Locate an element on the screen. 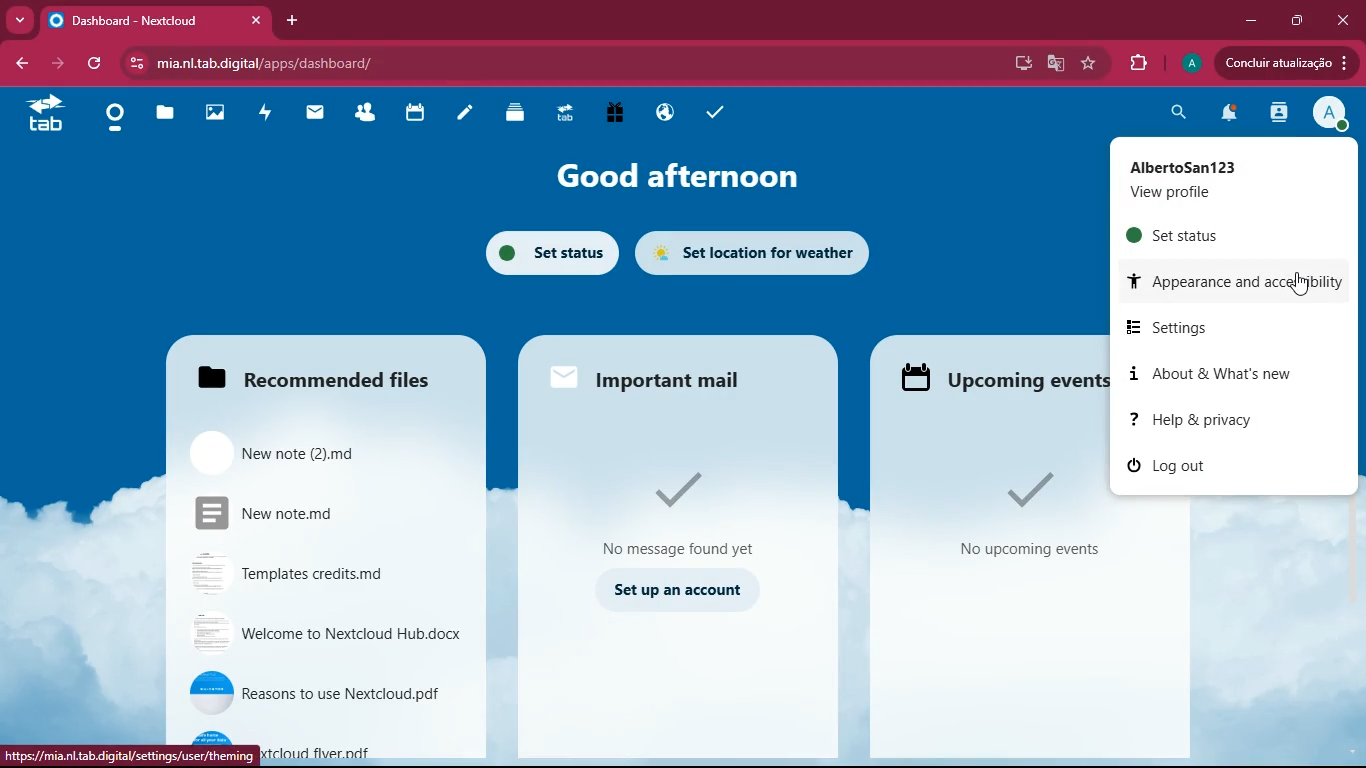 This screenshot has width=1366, height=768. home is located at coordinates (118, 118).